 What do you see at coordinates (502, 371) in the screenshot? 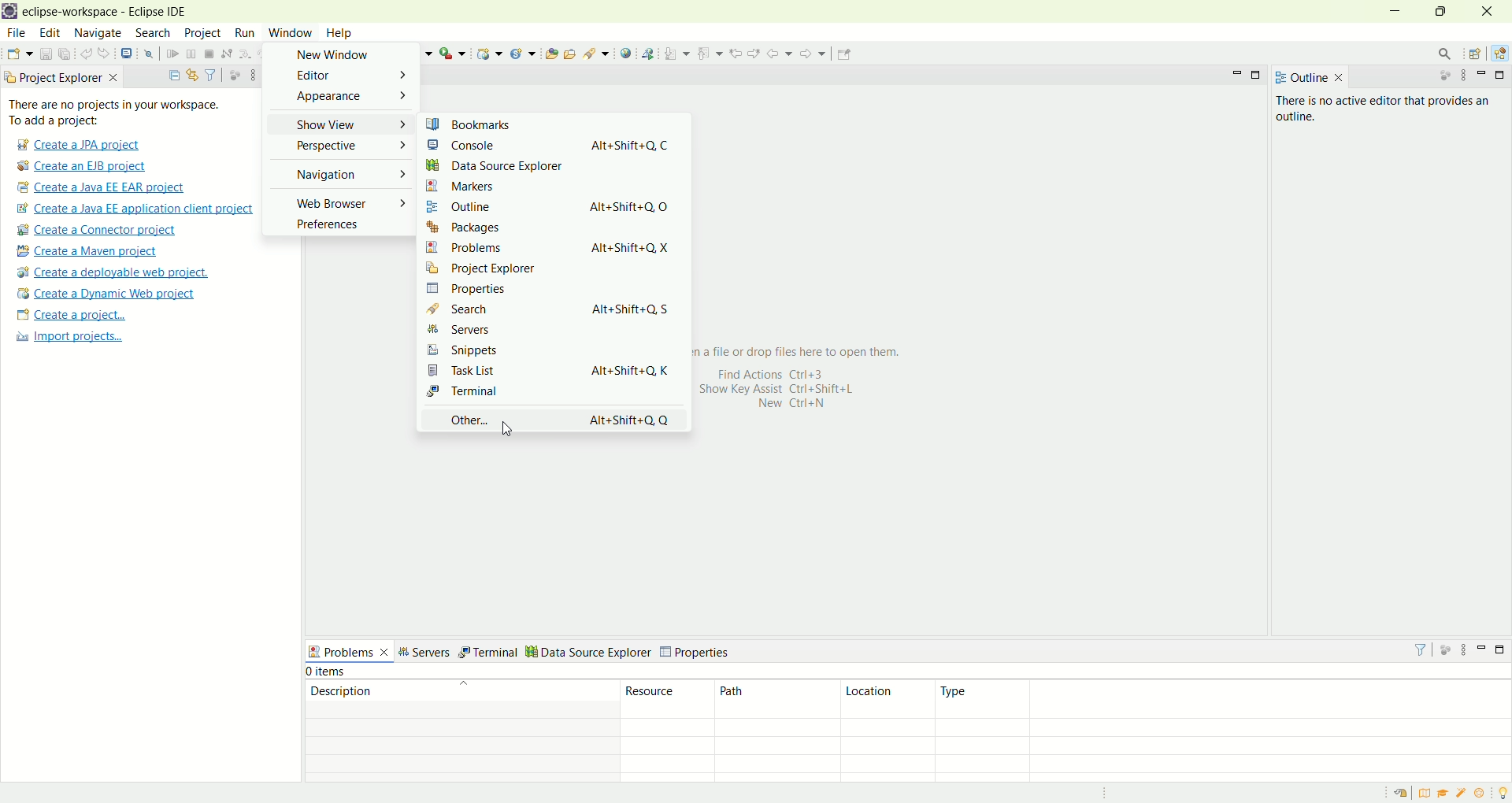
I see `task list` at bounding box center [502, 371].